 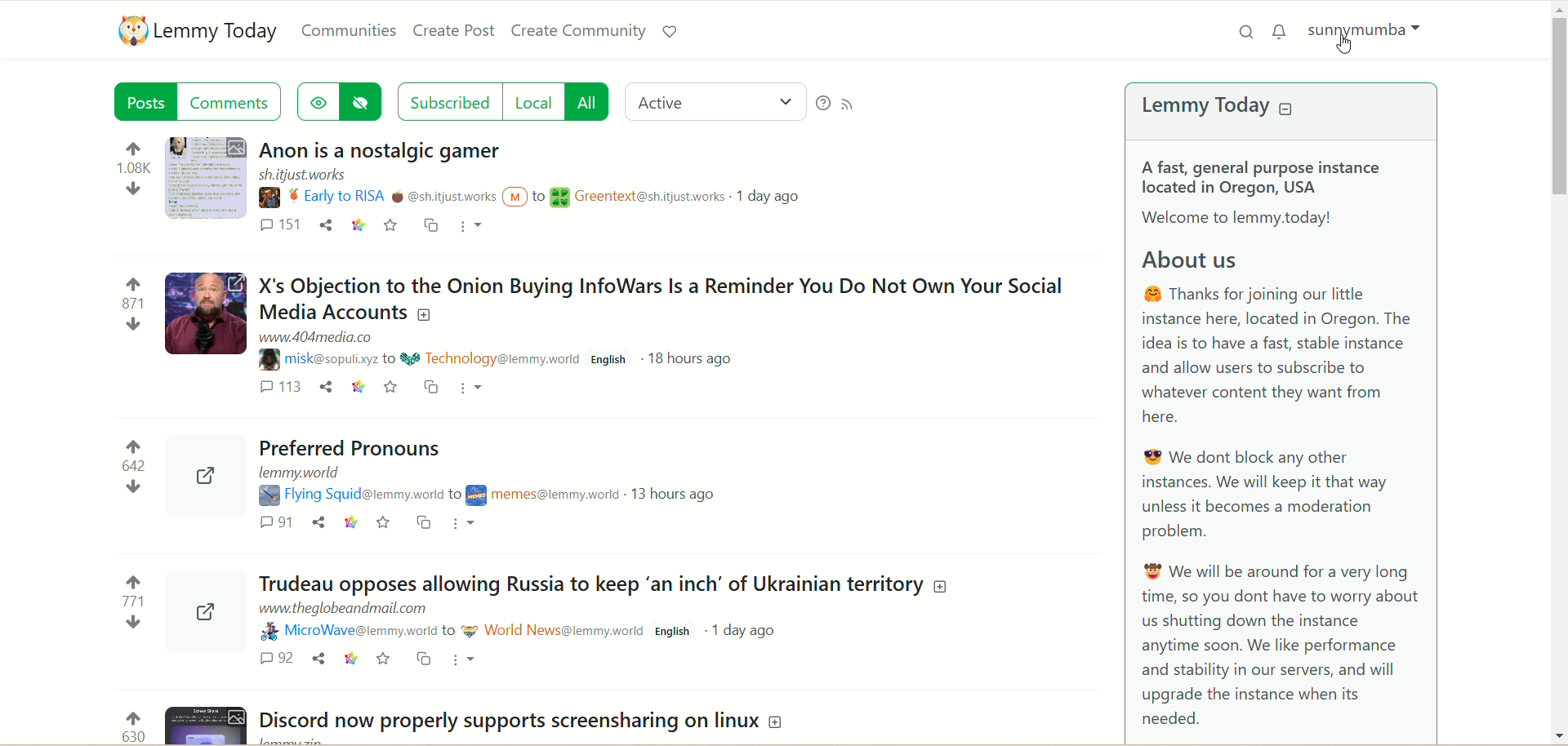 What do you see at coordinates (359, 227) in the screenshot?
I see `link` at bounding box center [359, 227].